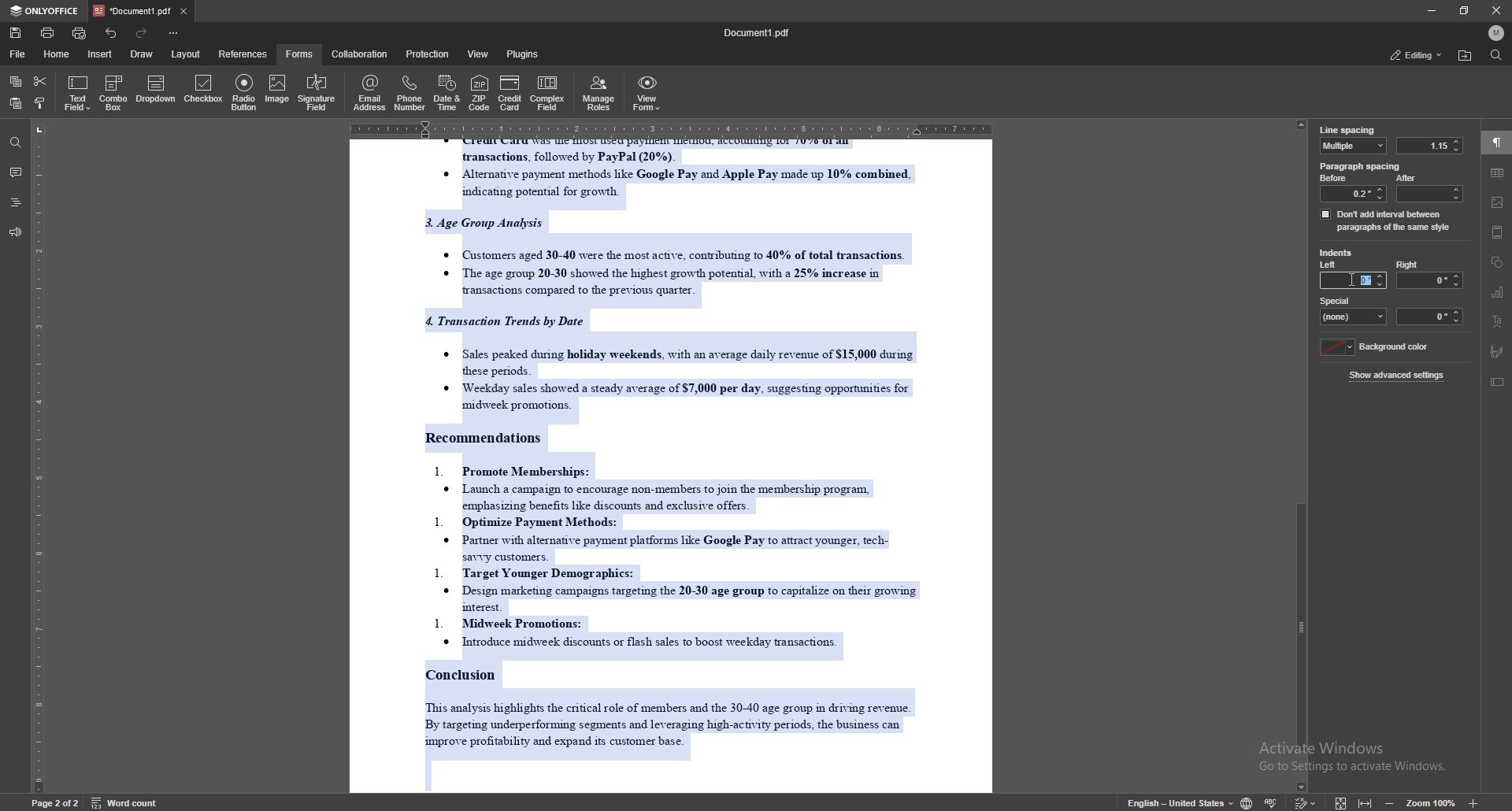 This screenshot has height=811, width=1512. I want to click on paste, so click(14, 104).